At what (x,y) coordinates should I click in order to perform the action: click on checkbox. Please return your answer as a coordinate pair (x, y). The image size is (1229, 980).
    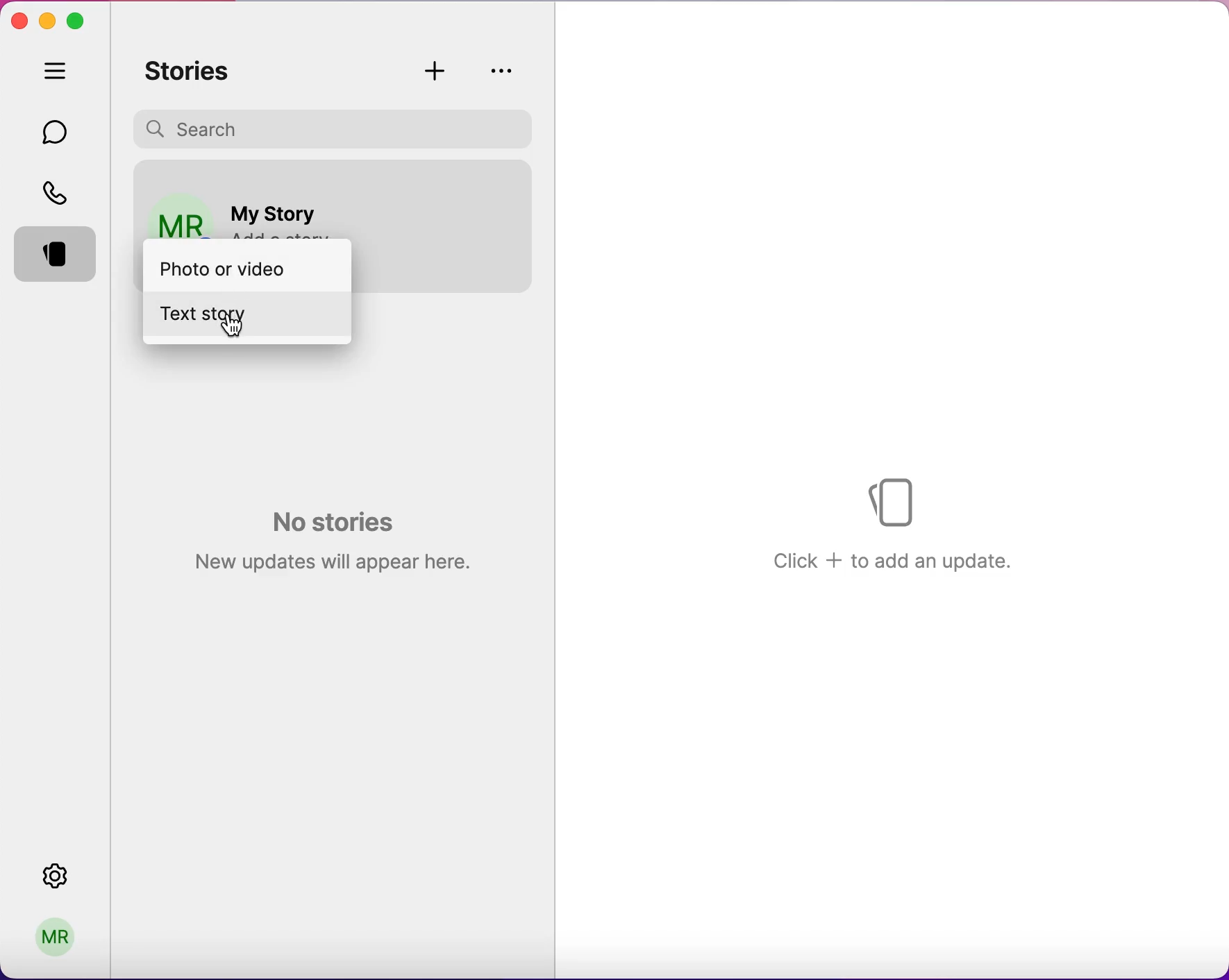
    Looking at the image, I should click on (501, 217).